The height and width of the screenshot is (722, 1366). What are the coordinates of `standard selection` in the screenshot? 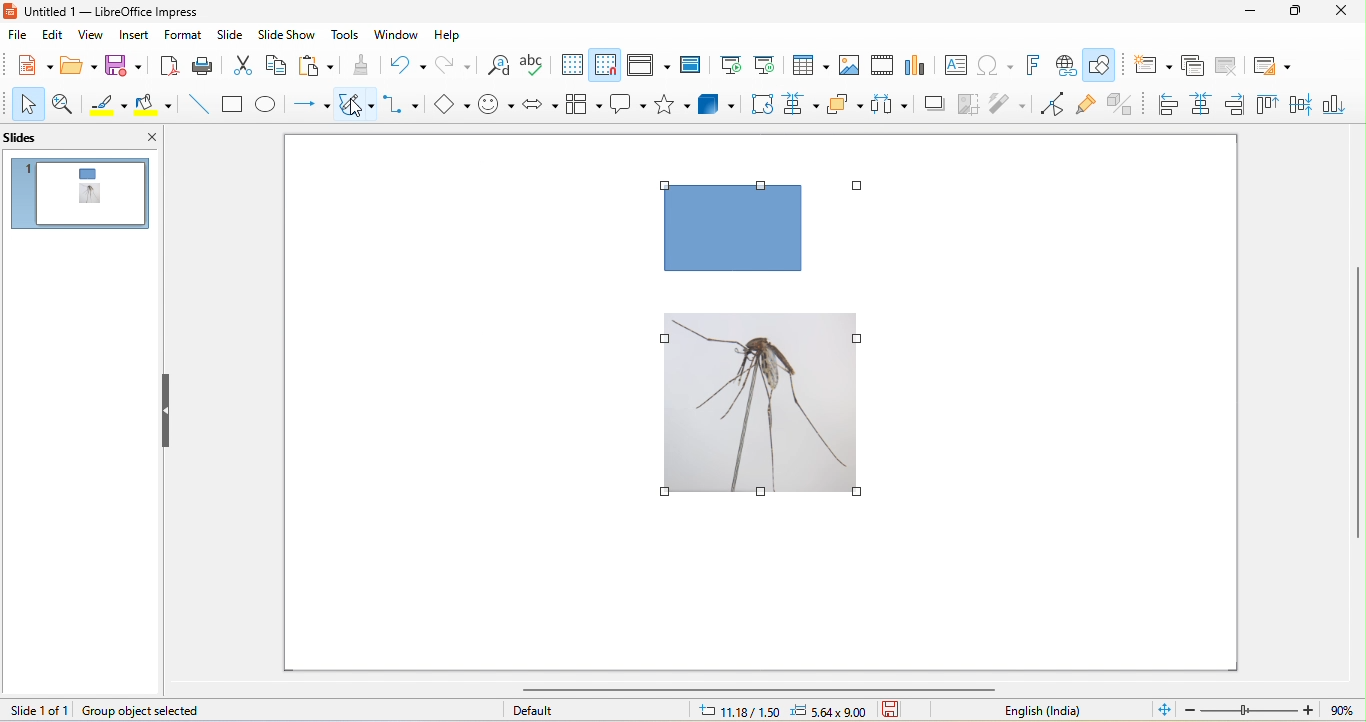 It's located at (902, 710).